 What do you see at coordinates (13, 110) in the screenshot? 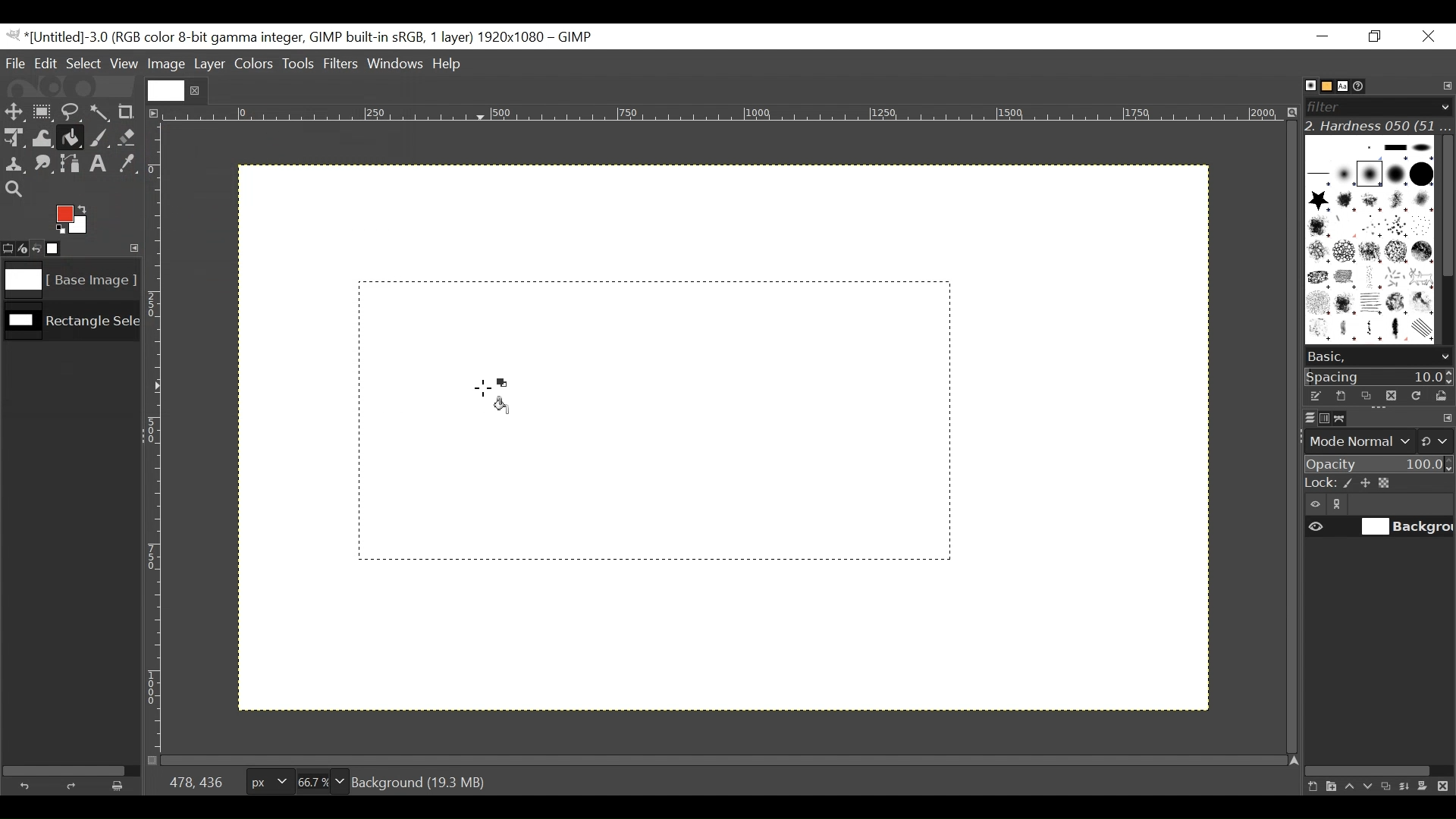
I see `Move tool` at bounding box center [13, 110].